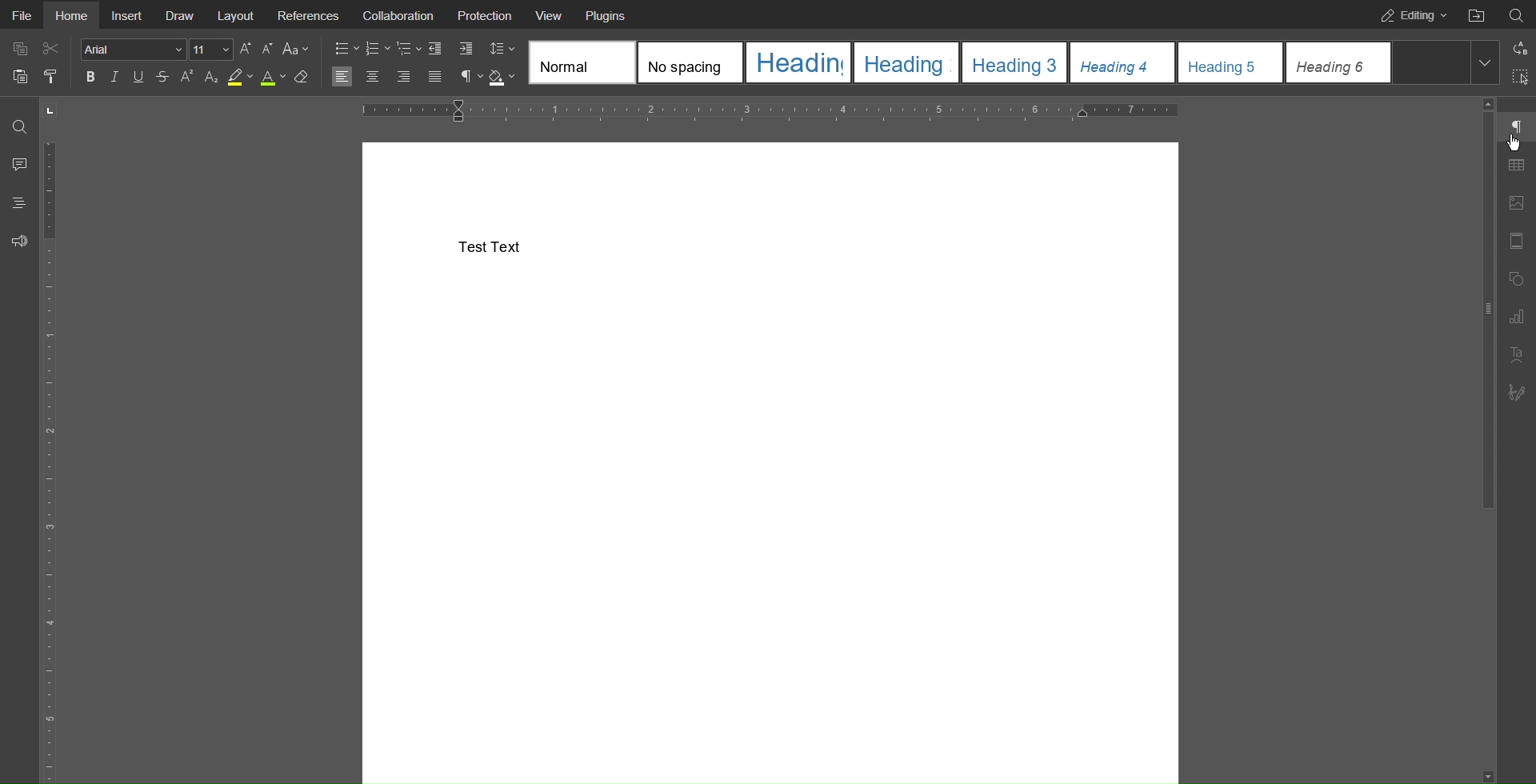  Describe the element at coordinates (346, 50) in the screenshot. I see `Bullet List` at that location.